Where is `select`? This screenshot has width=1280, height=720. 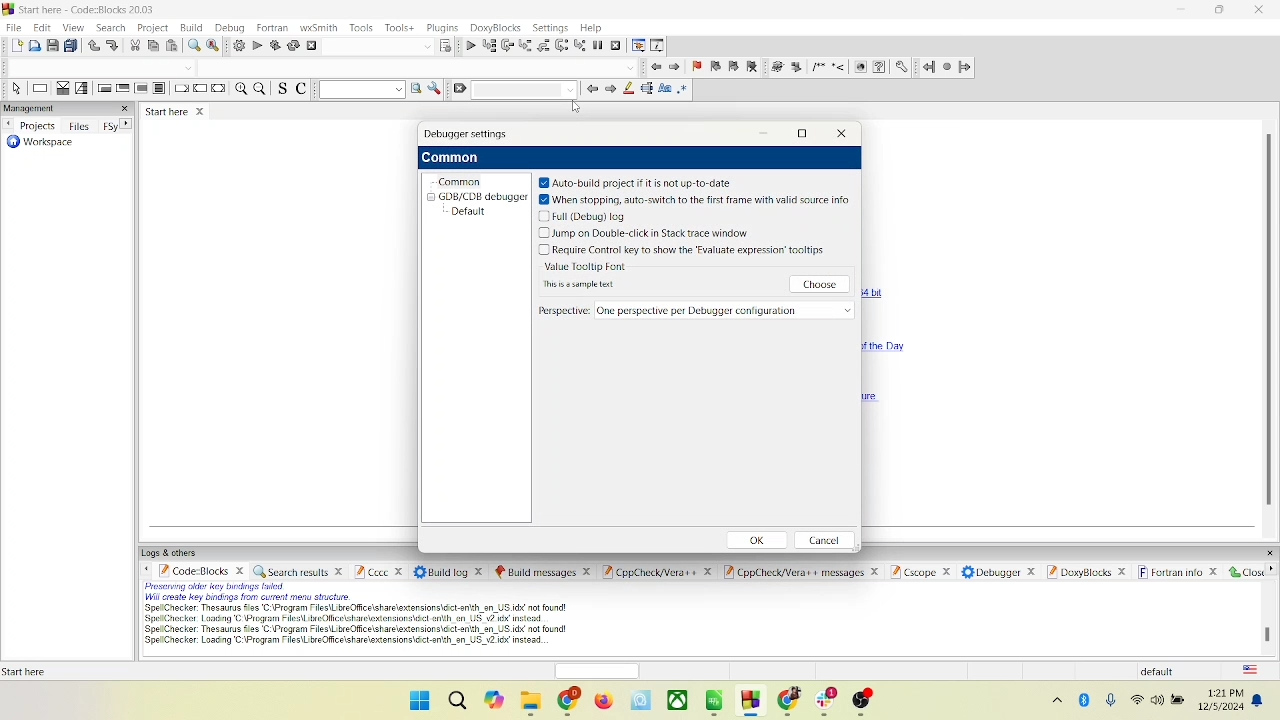
select is located at coordinates (15, 88).